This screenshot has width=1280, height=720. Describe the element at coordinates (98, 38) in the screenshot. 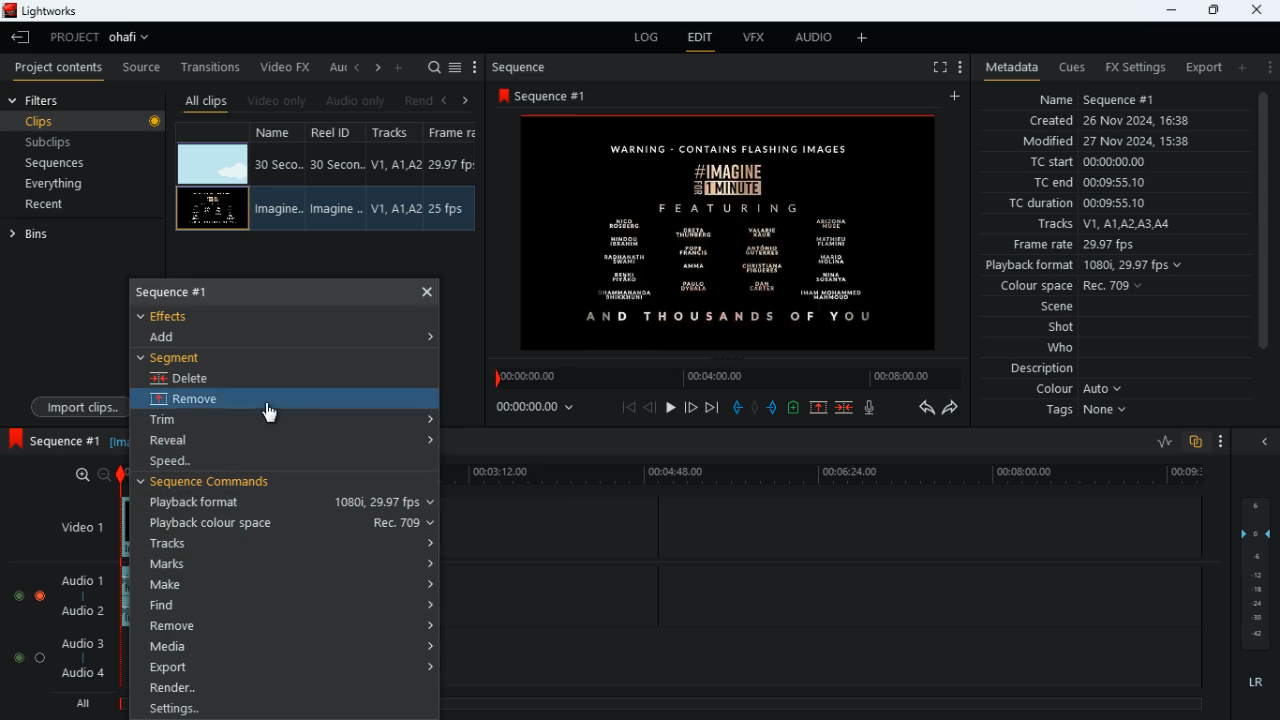

I see `project` at that location.